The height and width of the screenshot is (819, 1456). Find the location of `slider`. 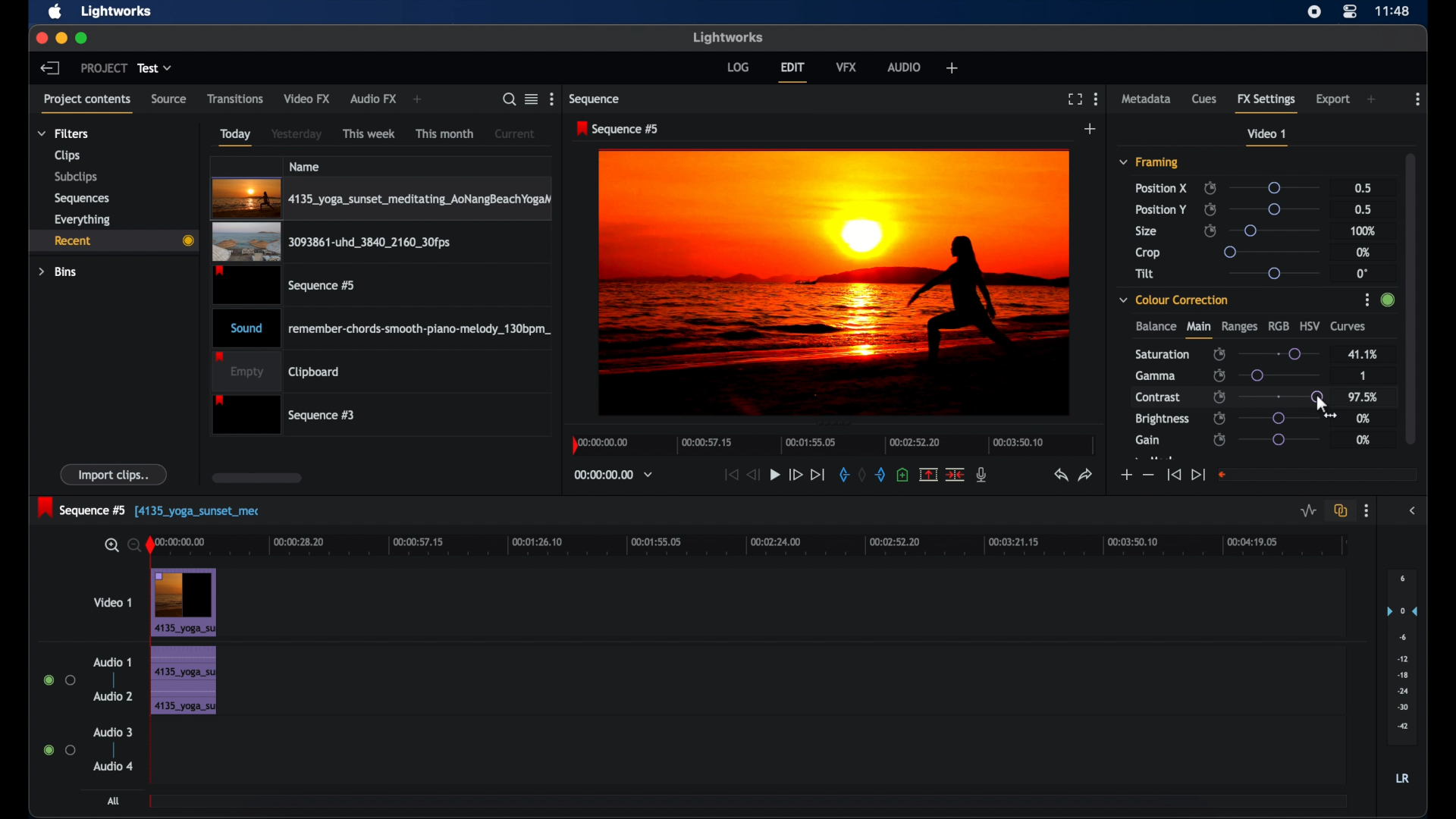

slider is located at coordinates (1273, 187).